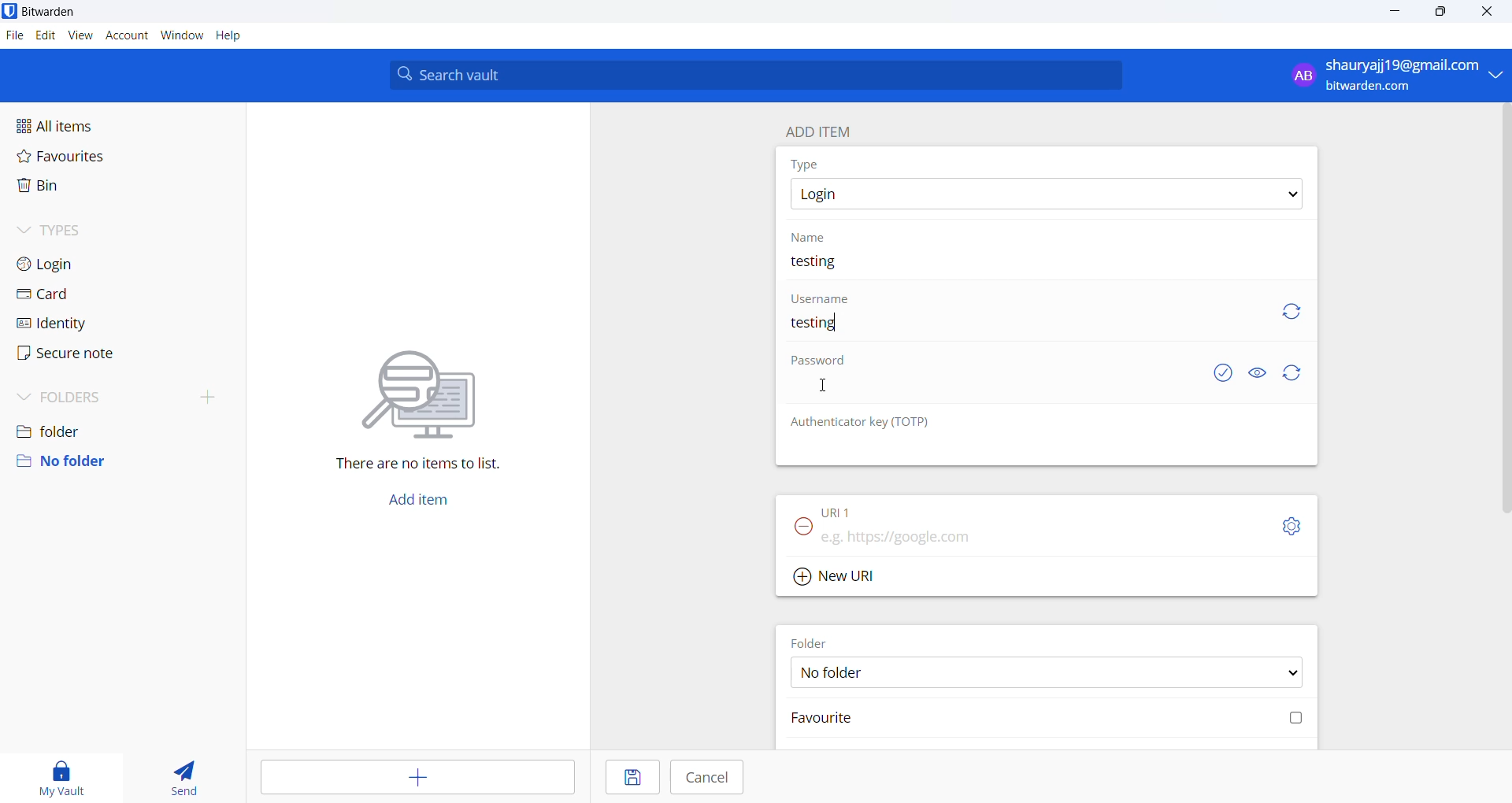  What do you see at coordinates (1261, 370) in the screenshot?
I see `show or hide` at bounding box center [1261, 370].